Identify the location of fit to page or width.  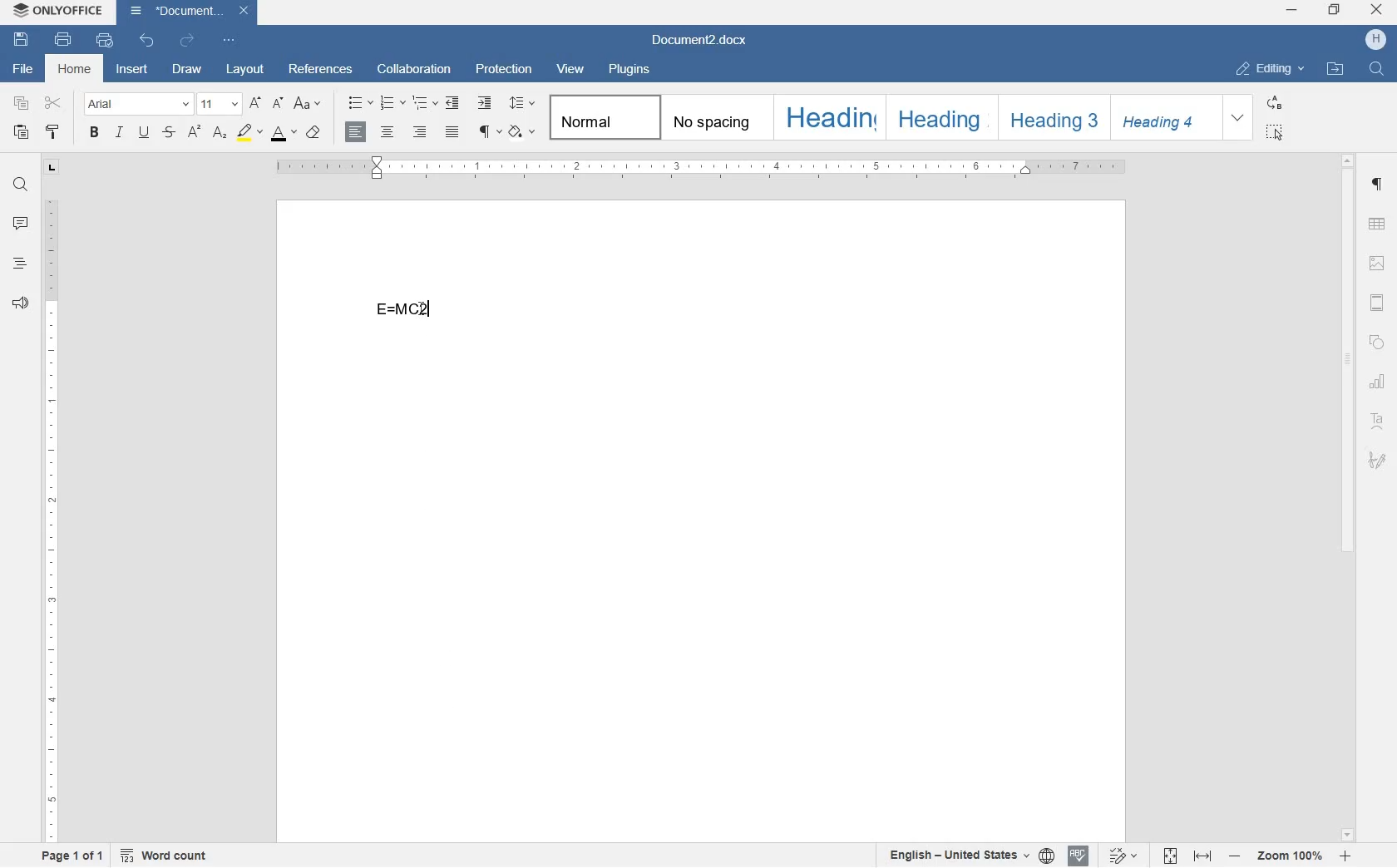
(1186, 856).